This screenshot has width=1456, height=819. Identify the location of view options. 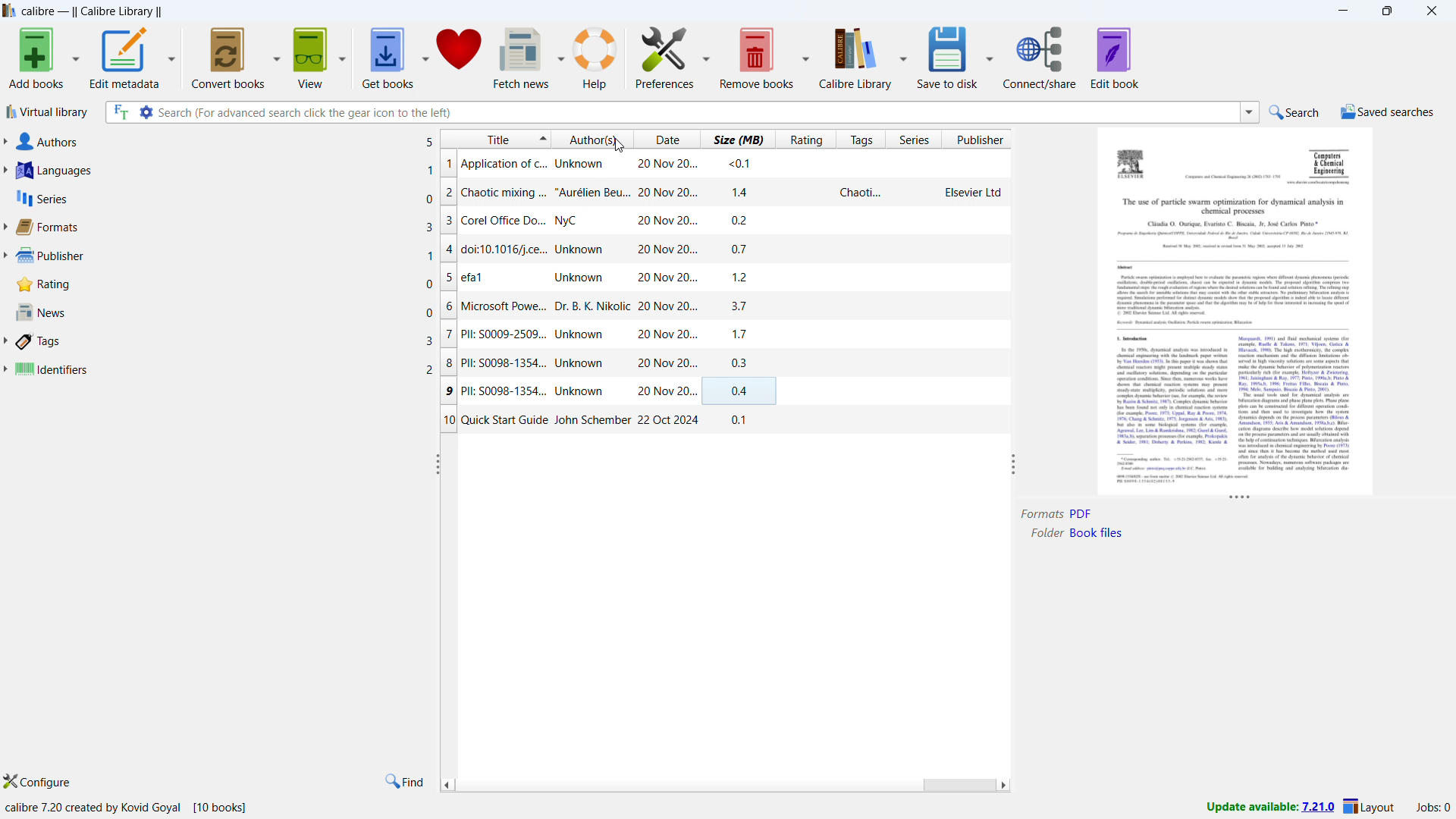
(343, 58).